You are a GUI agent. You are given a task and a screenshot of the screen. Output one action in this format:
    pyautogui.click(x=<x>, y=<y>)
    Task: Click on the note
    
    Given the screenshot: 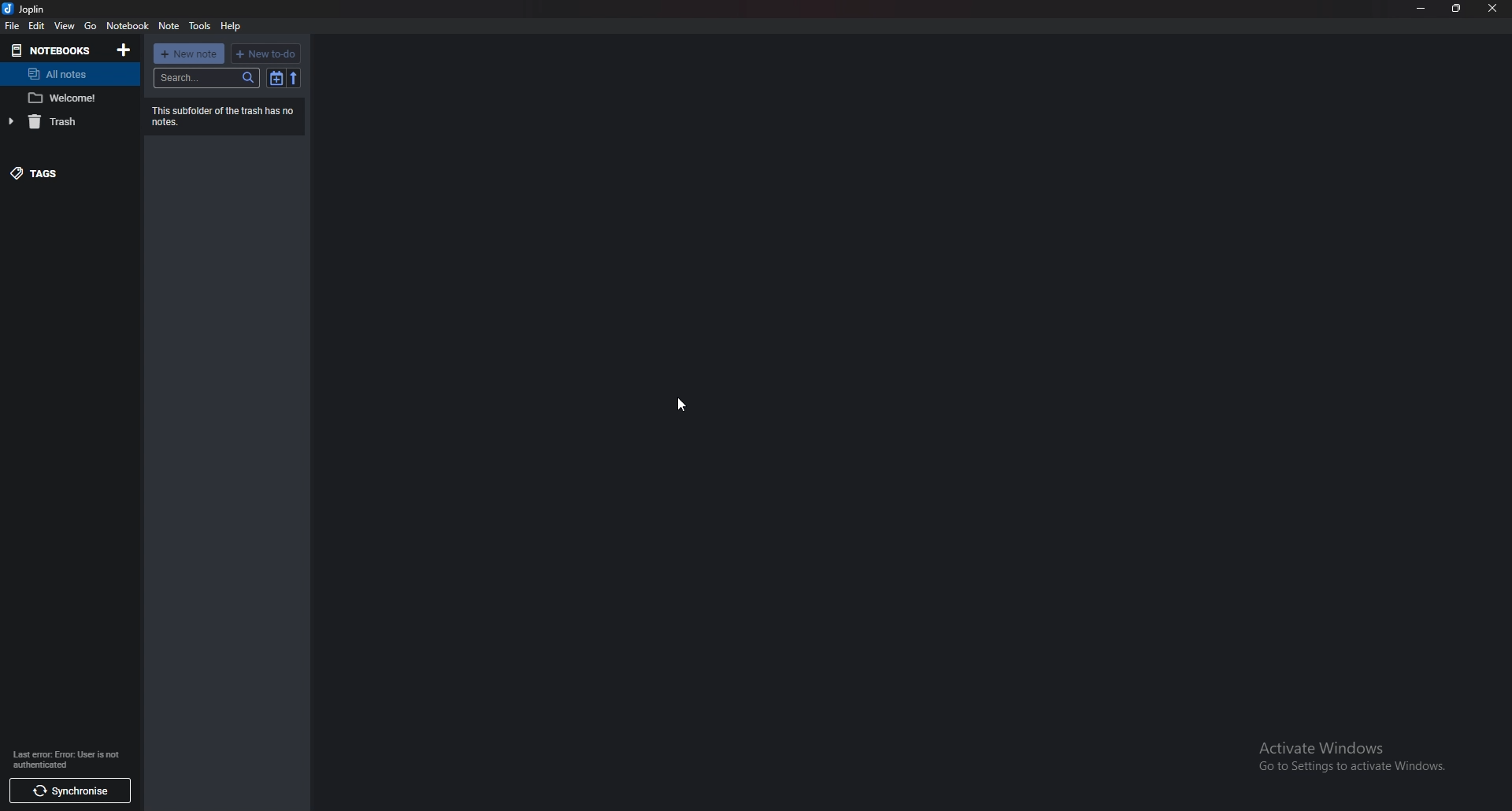 What is the action you would take?
    pyautogui.click(x=169, y=26)
    